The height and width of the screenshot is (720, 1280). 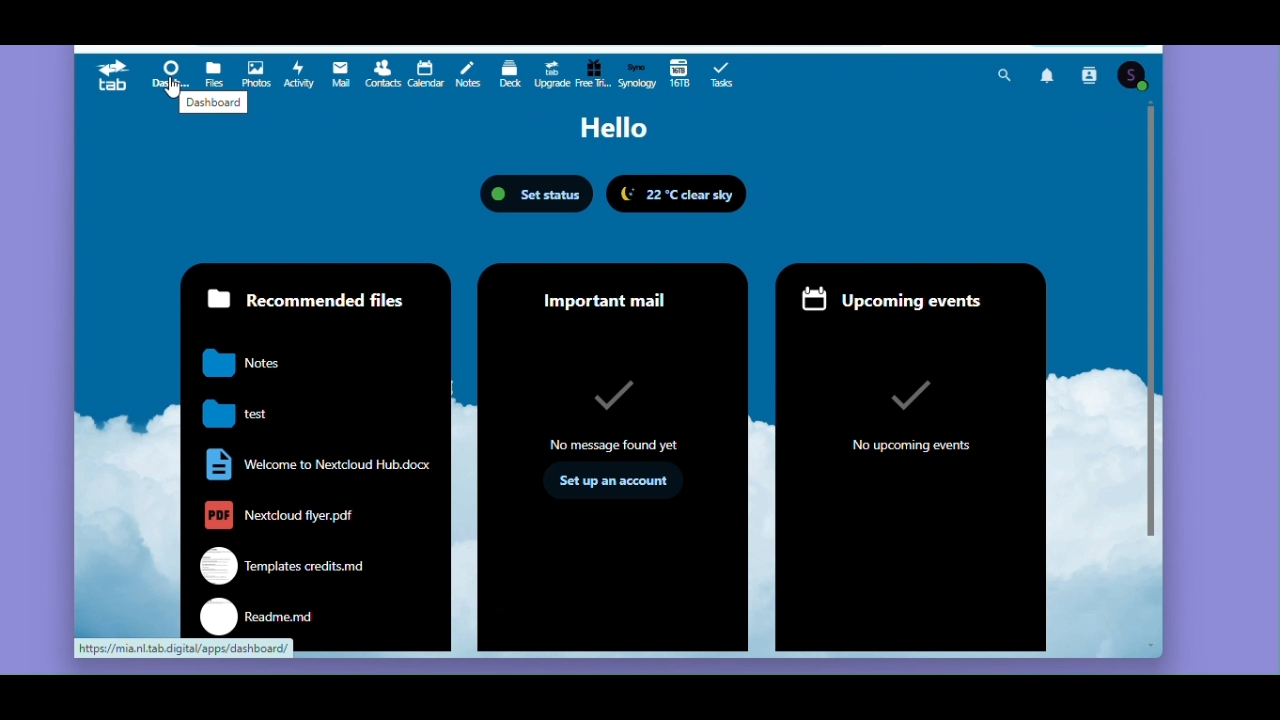 I want to click on Mail, so click(x=337, y=76).